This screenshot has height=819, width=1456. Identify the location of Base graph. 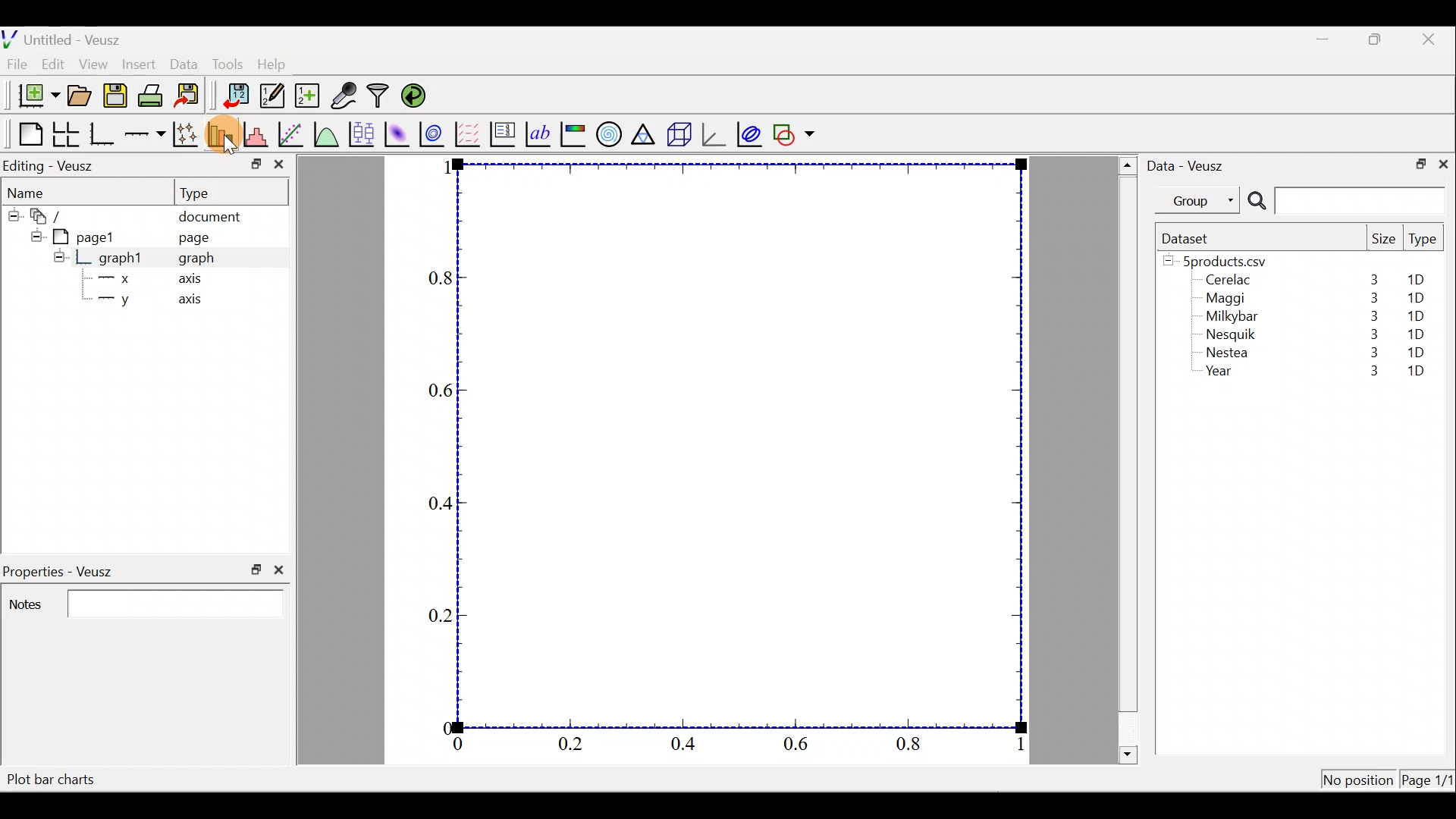
(103, 134).